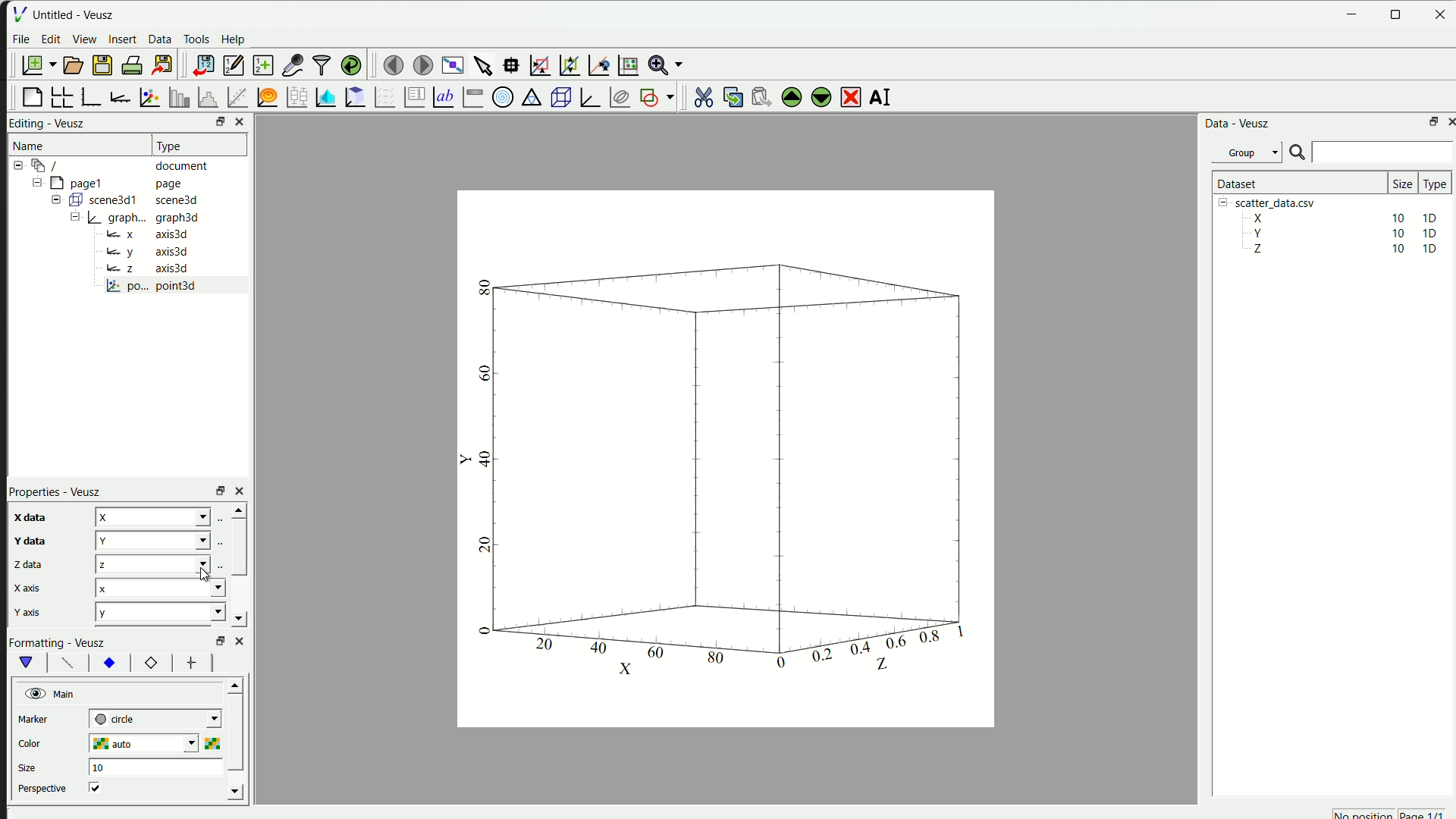 Image resolution: width=1456 pixels, height=819 pixels. What do you see at coordinates (450, 63) in the screenshot?
I see `view plot full screen` at bounding box center [450, 63].